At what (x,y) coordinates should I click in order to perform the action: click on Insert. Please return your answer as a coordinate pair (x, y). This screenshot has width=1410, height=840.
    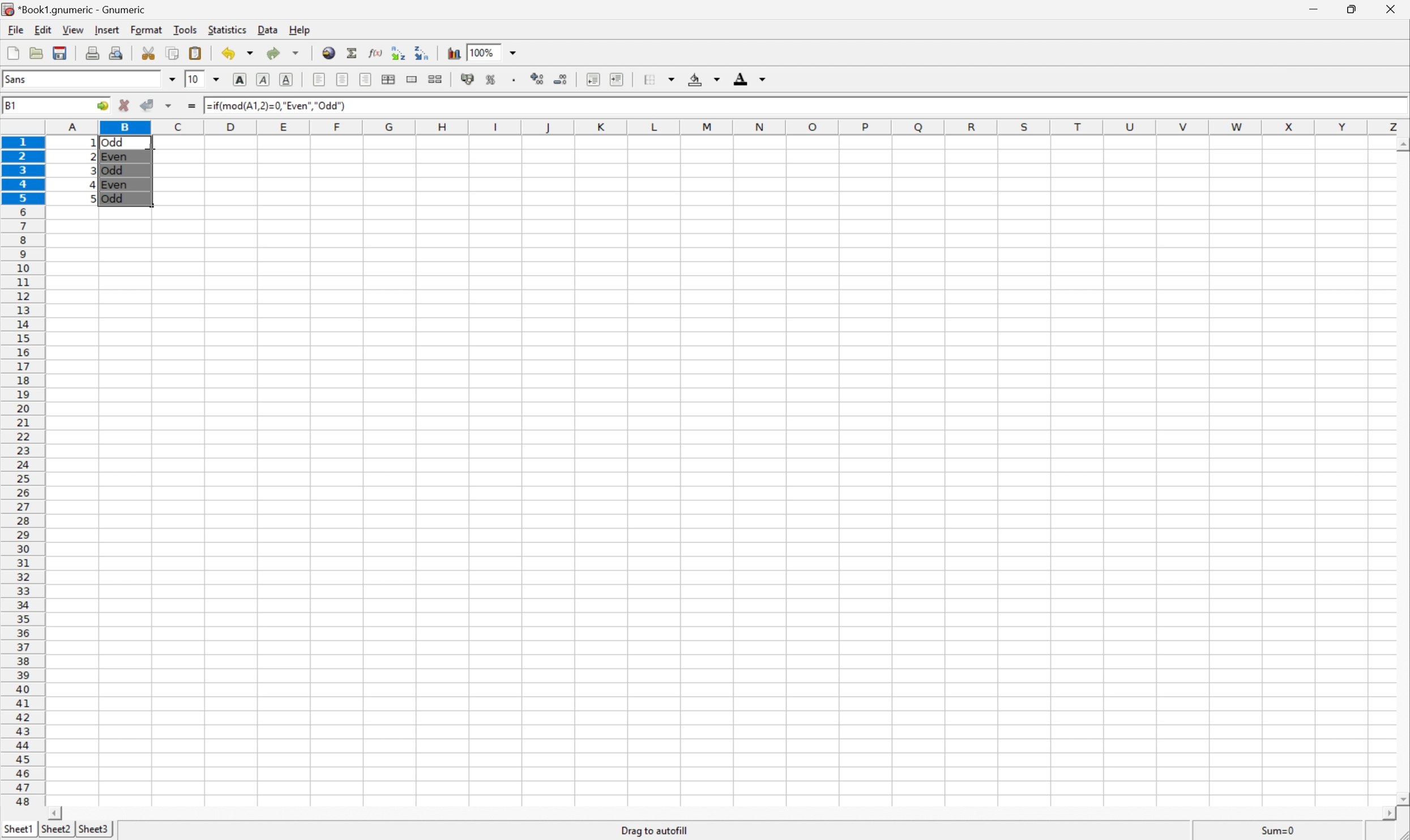
    Looking at the image, I should click on (109, 29).